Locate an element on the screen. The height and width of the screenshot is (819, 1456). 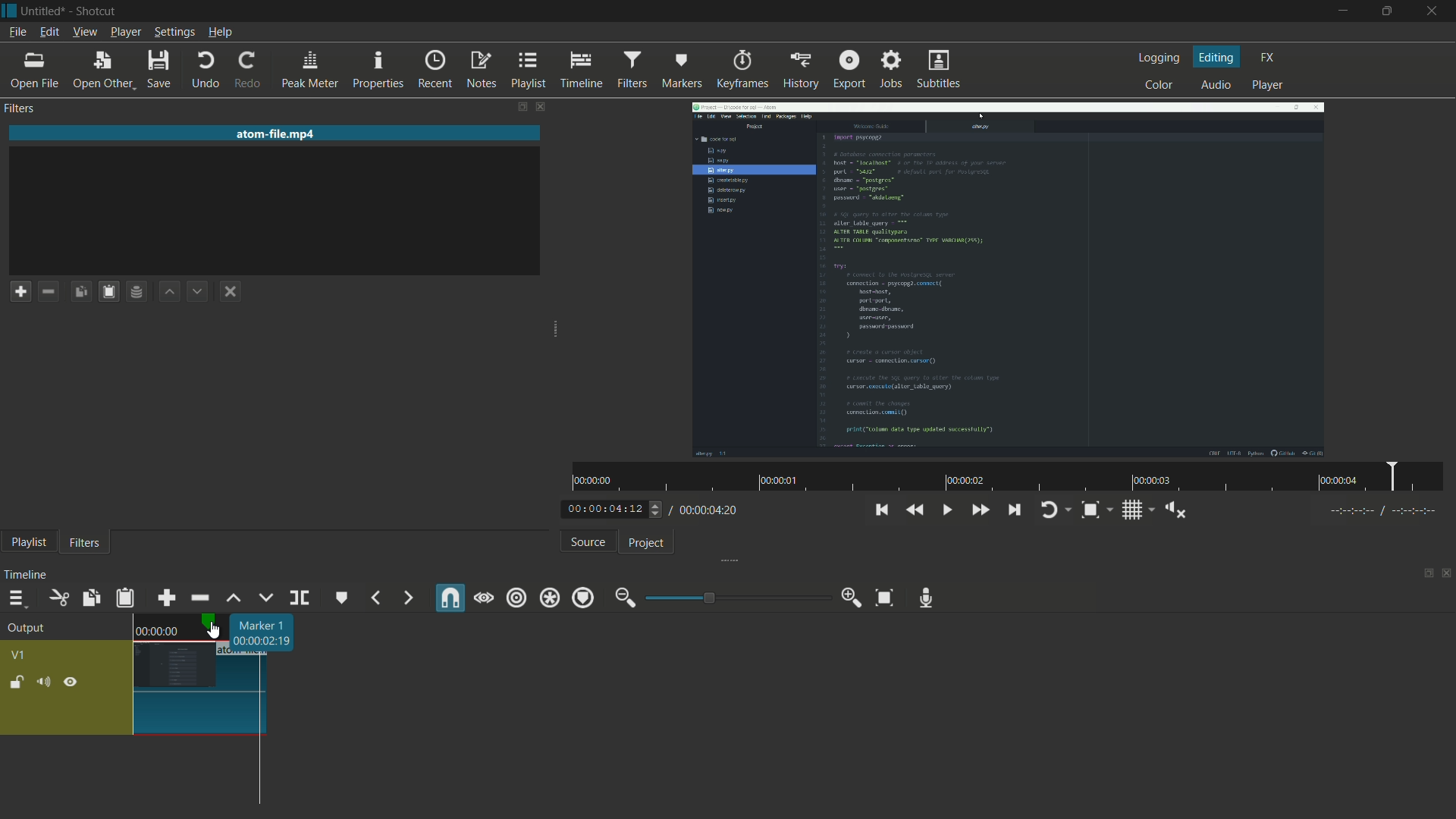
time is located at coordinates (1012, 479).